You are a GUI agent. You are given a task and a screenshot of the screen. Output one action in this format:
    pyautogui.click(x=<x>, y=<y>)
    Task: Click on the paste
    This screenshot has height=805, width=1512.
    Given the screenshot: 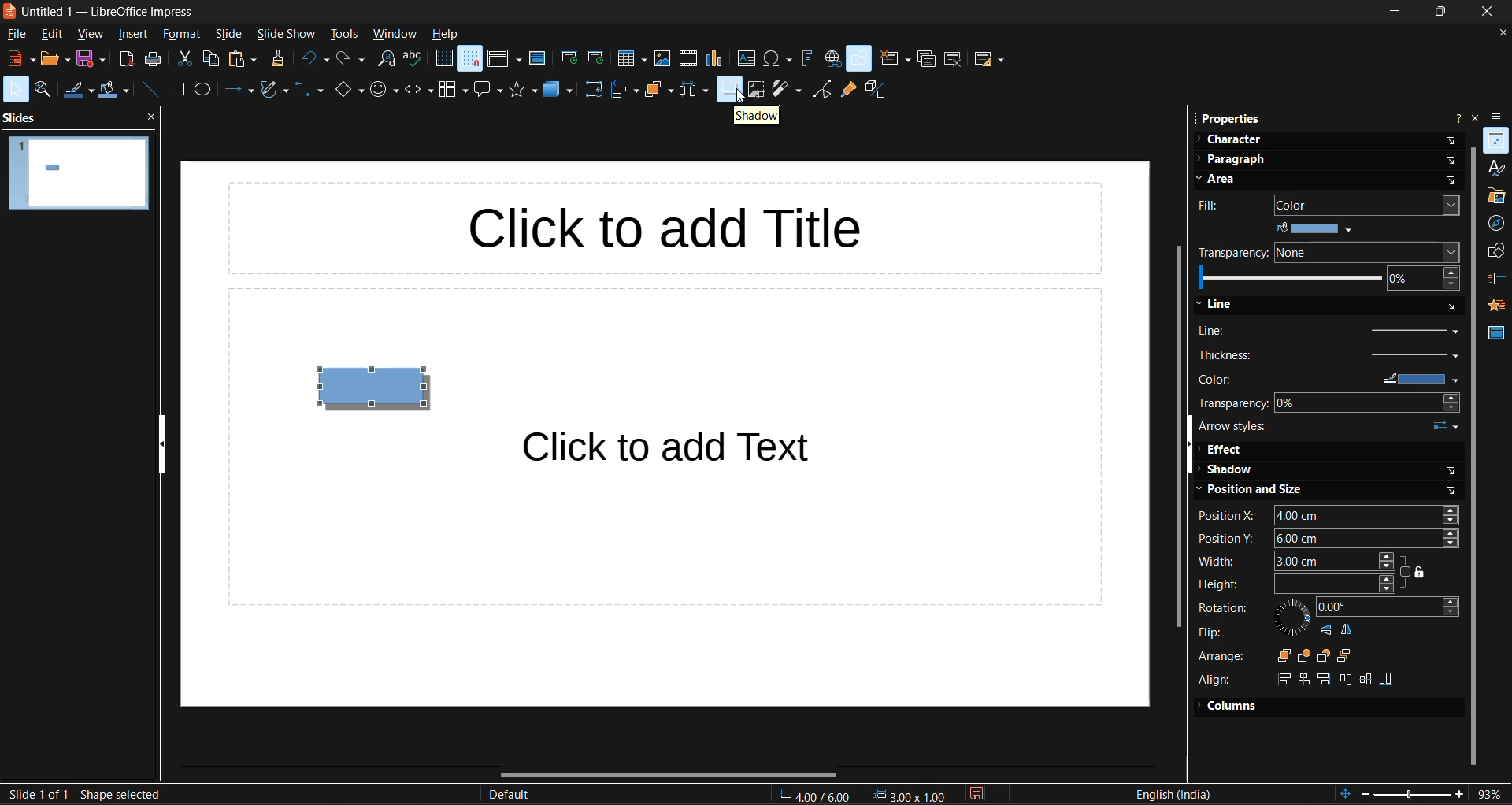 What is the action you would take?
    pyautogui.click(x=245, y=60)
    